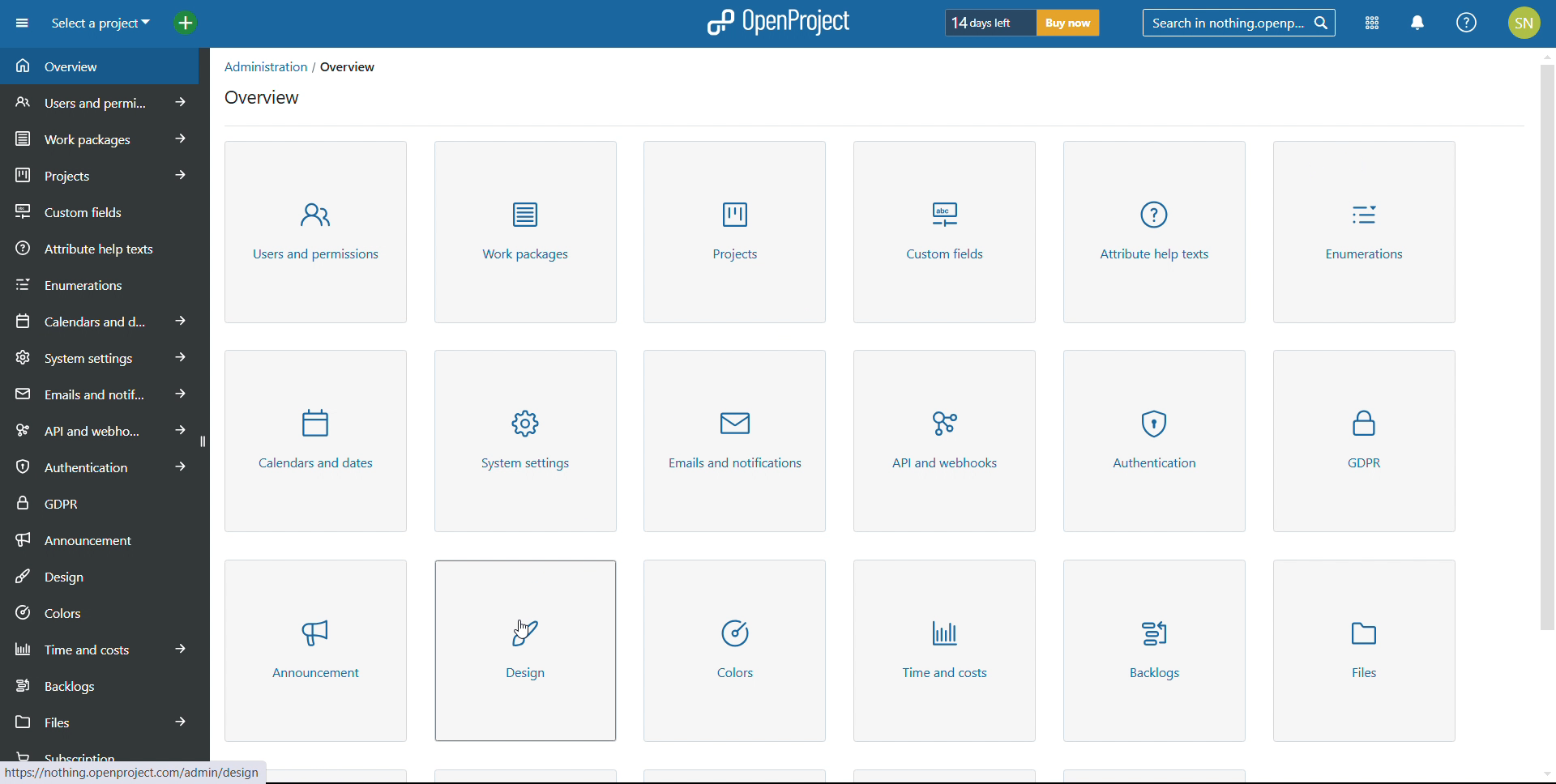 The image size is (1556, 784). Describe the element at coordinates (105, 247) in the screenshot. I see `attribute help texts` at that location.